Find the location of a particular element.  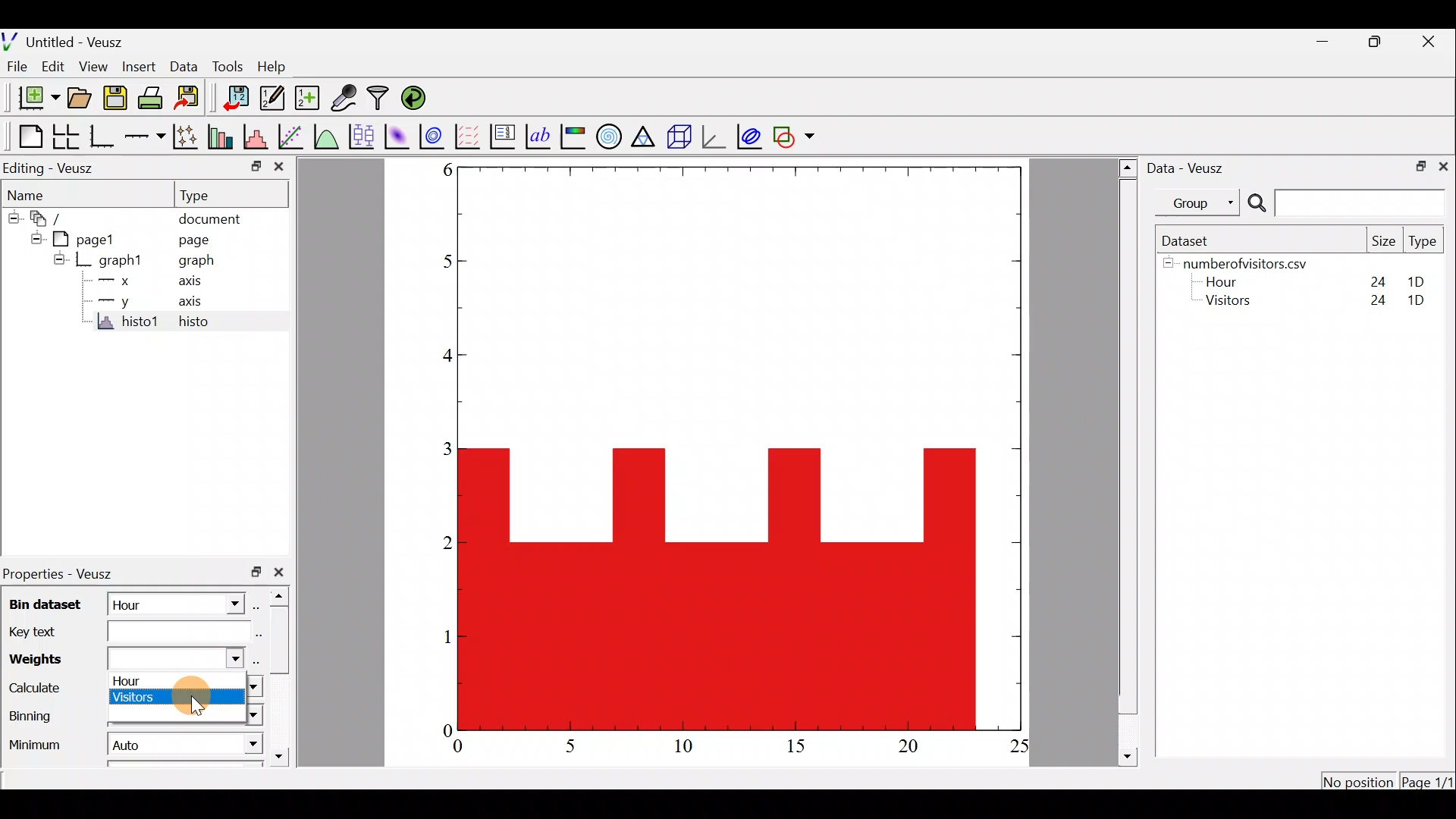

Untitled - Veusz is located at coordinates (67, 40).